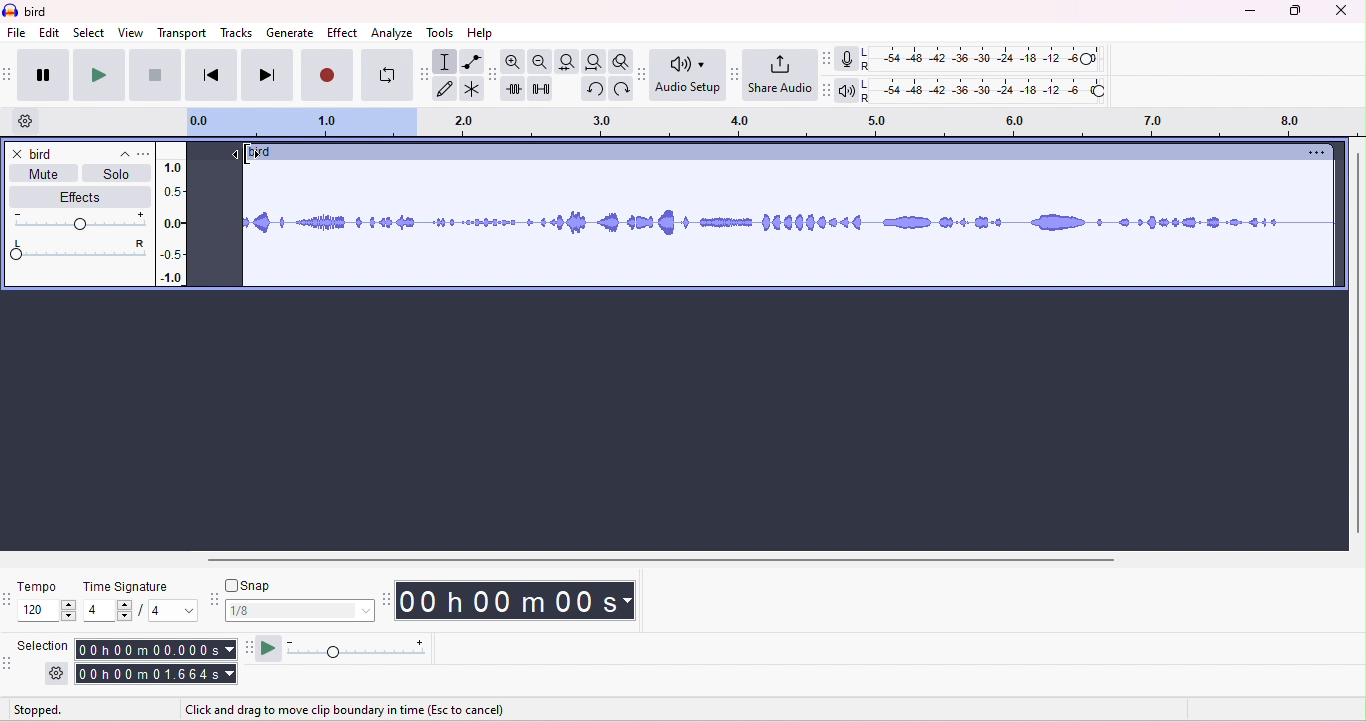 The height and width of the screenshot is (722, 1366). Describe the element at coordinates (131, 32) in the screenshot. I see `view` at that location.